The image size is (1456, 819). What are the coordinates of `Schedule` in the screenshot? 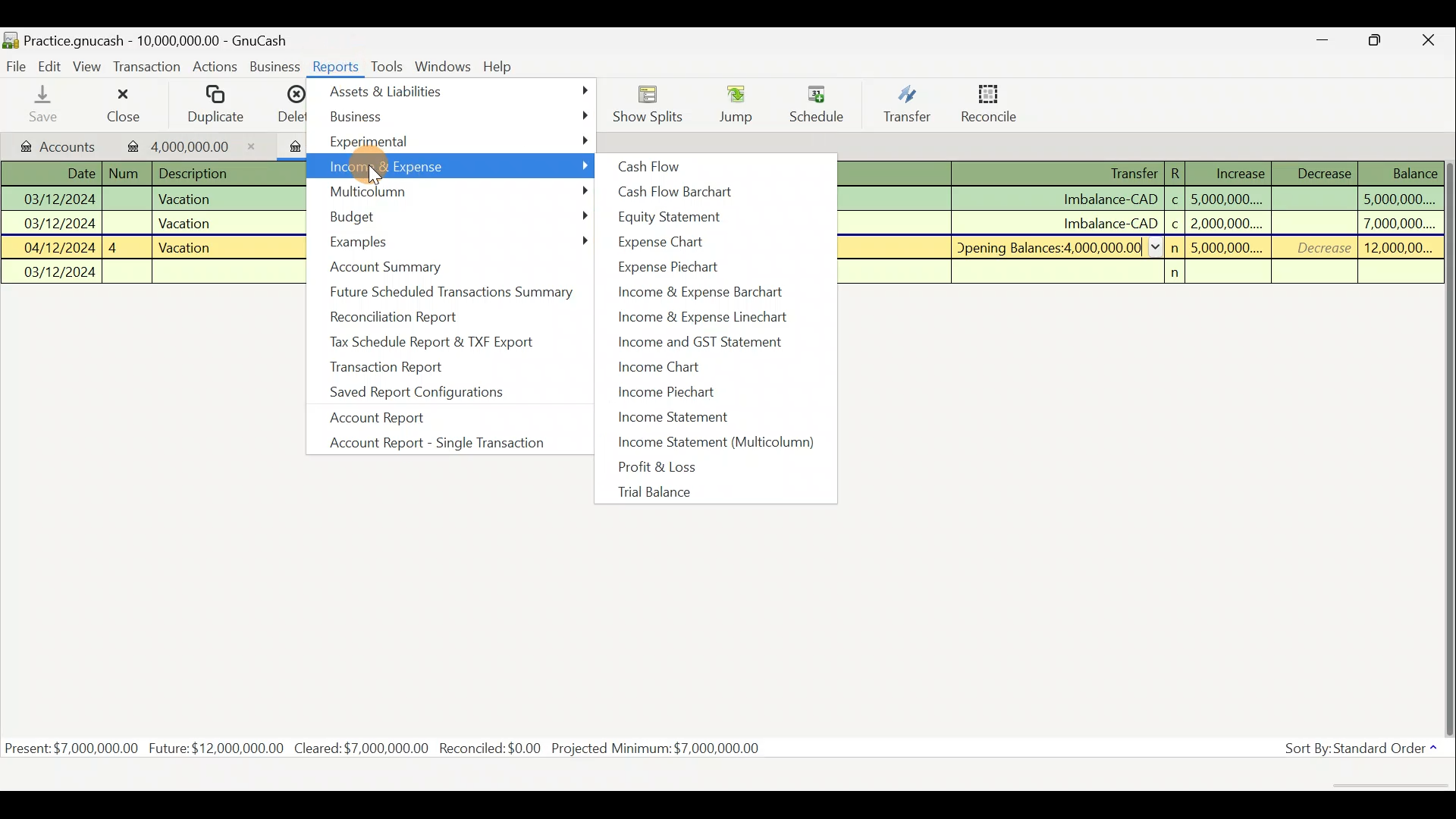 It's located at (818, 99).